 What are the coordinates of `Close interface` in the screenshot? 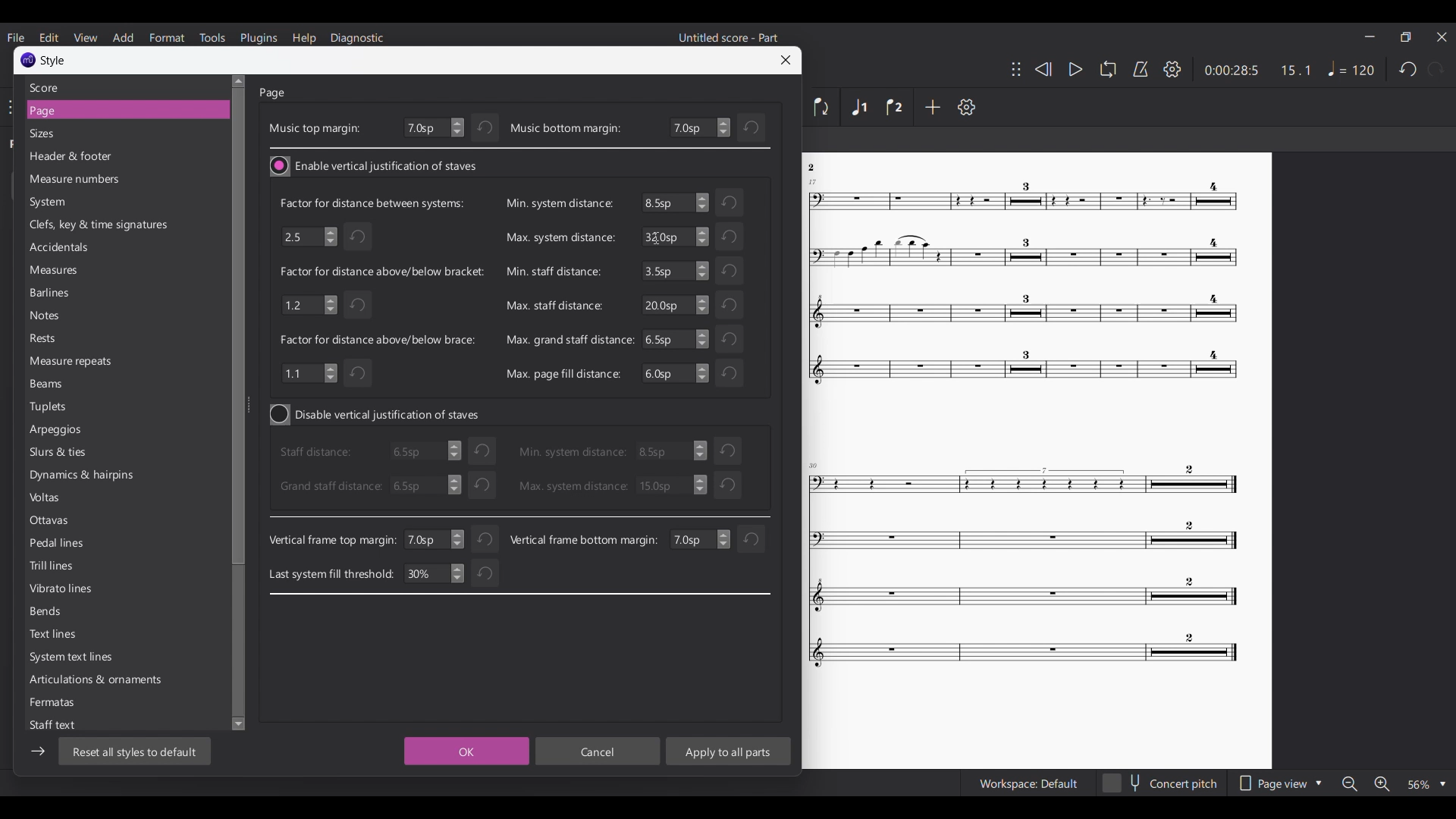 It's located at (1442, 36).